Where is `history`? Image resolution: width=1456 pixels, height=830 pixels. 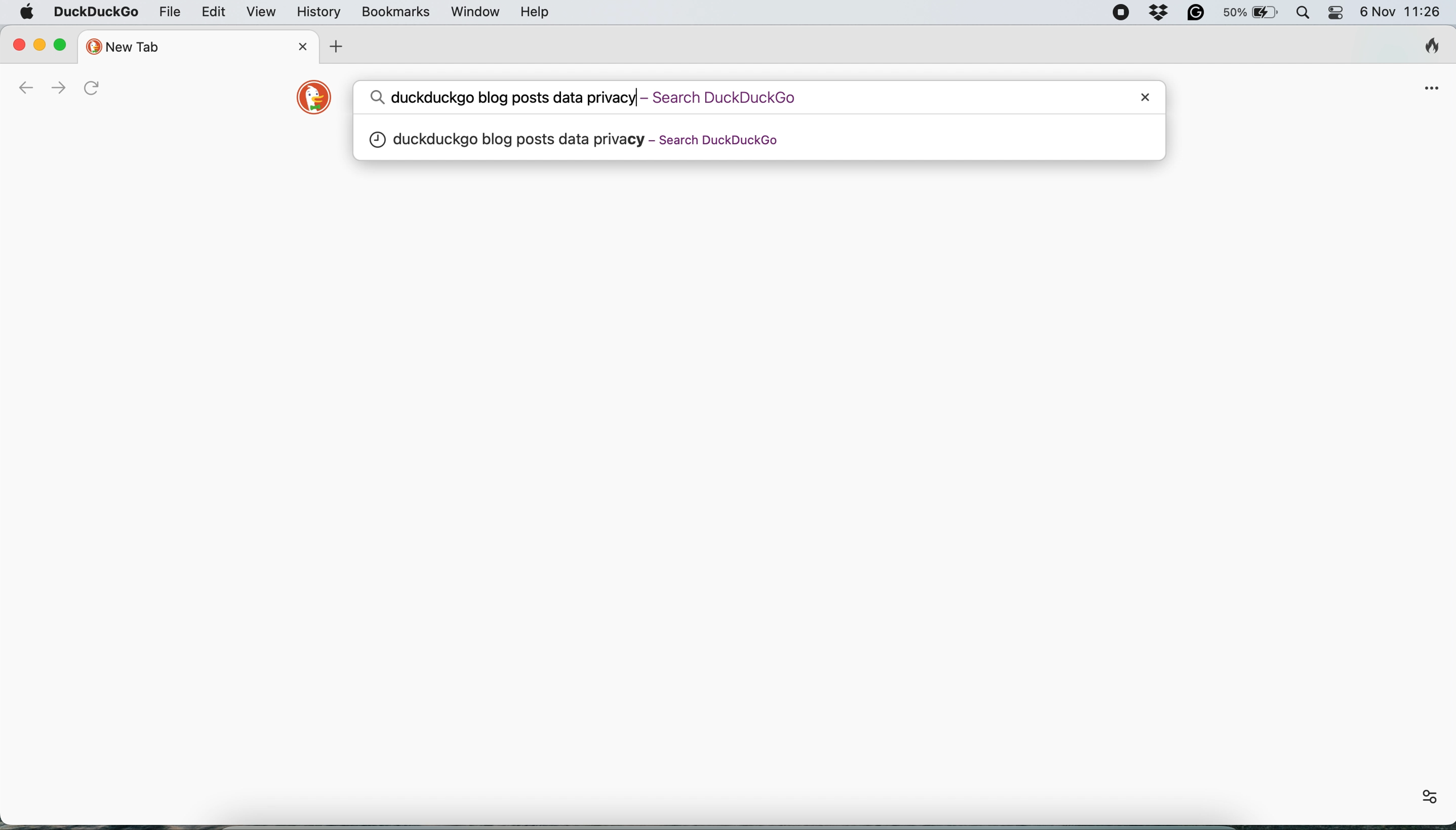 history is located at coordinates (316, 12).